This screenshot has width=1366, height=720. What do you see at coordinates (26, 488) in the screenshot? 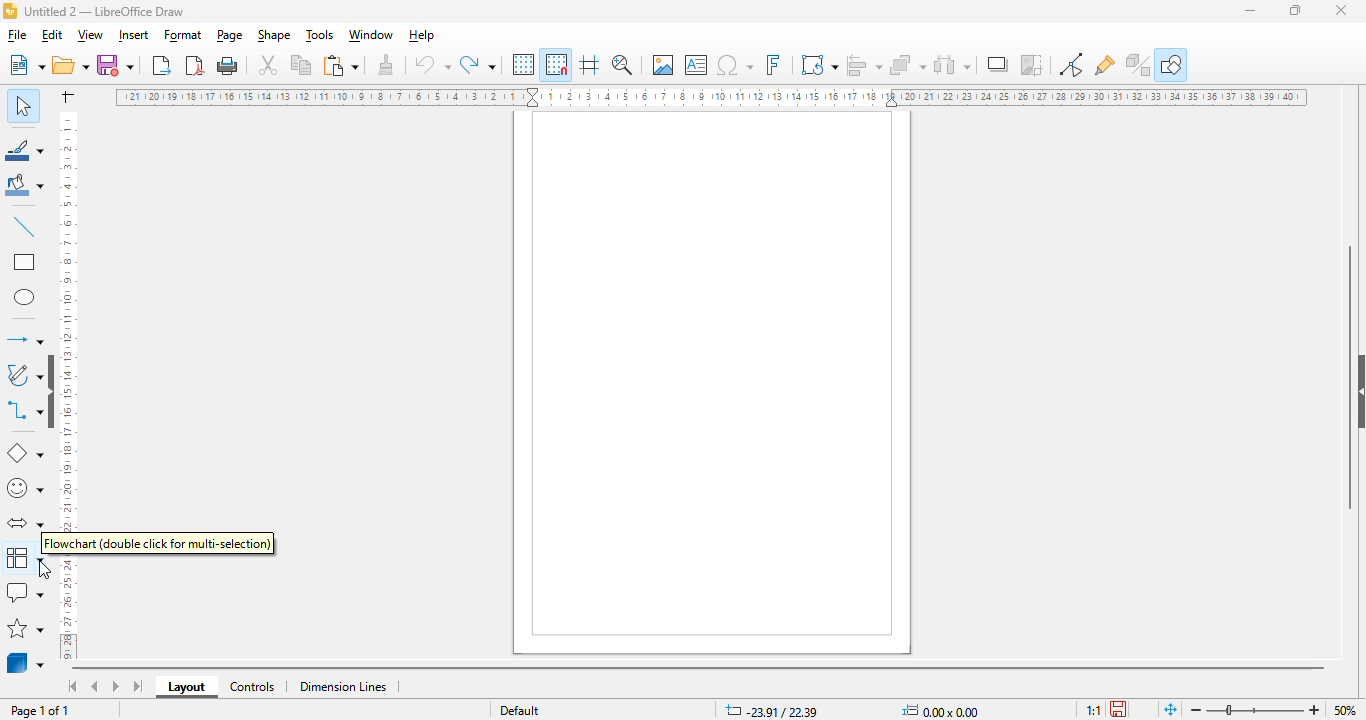
I see `simple shapes` at bounding box center [26, 488].